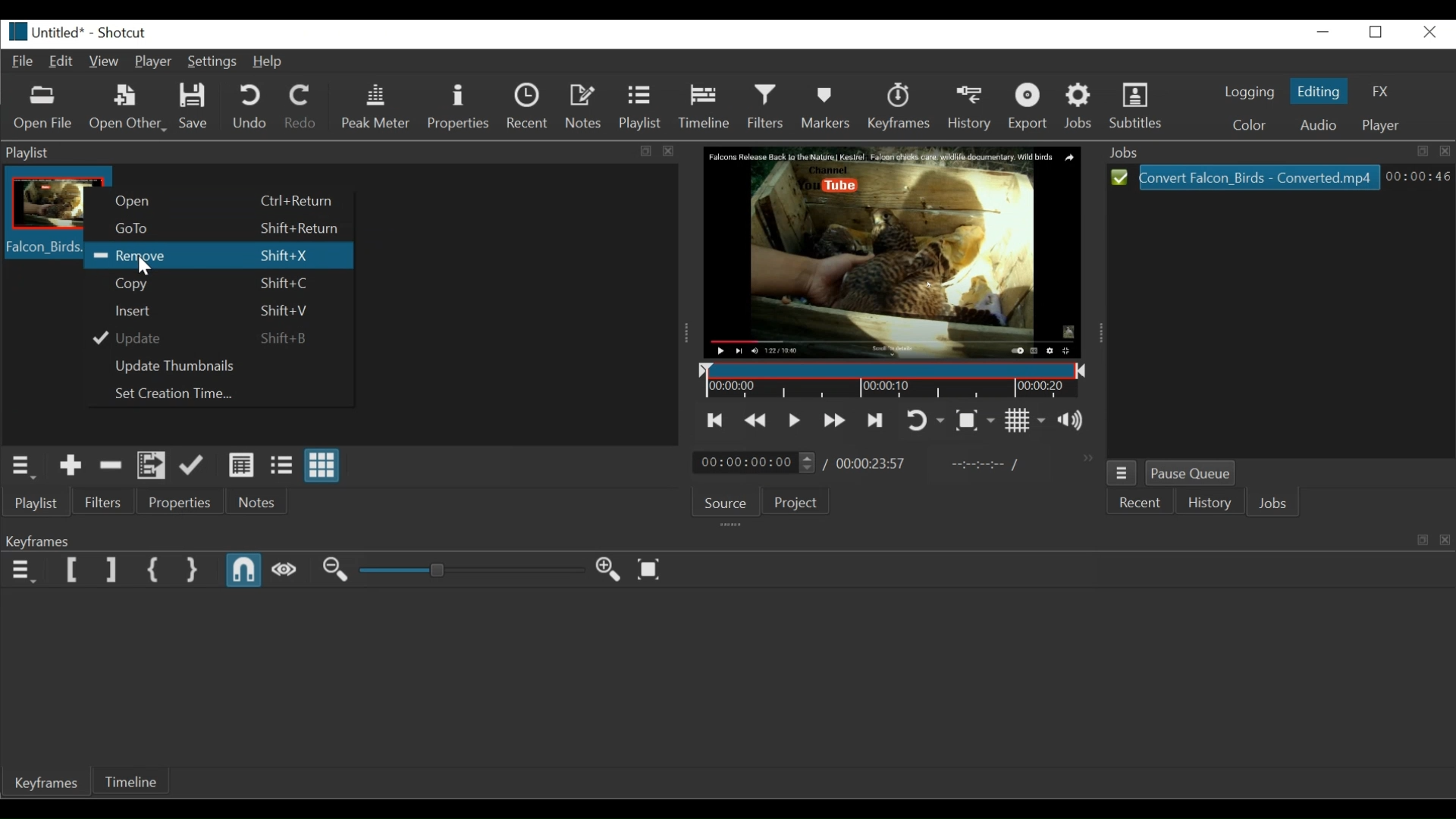 The height and width of the screenshot is (819, 1456). What do you see at coordinates (156, 571) in the screenshot?
I see `Set First Simple Keyframe` at bounding box center [156, 571].